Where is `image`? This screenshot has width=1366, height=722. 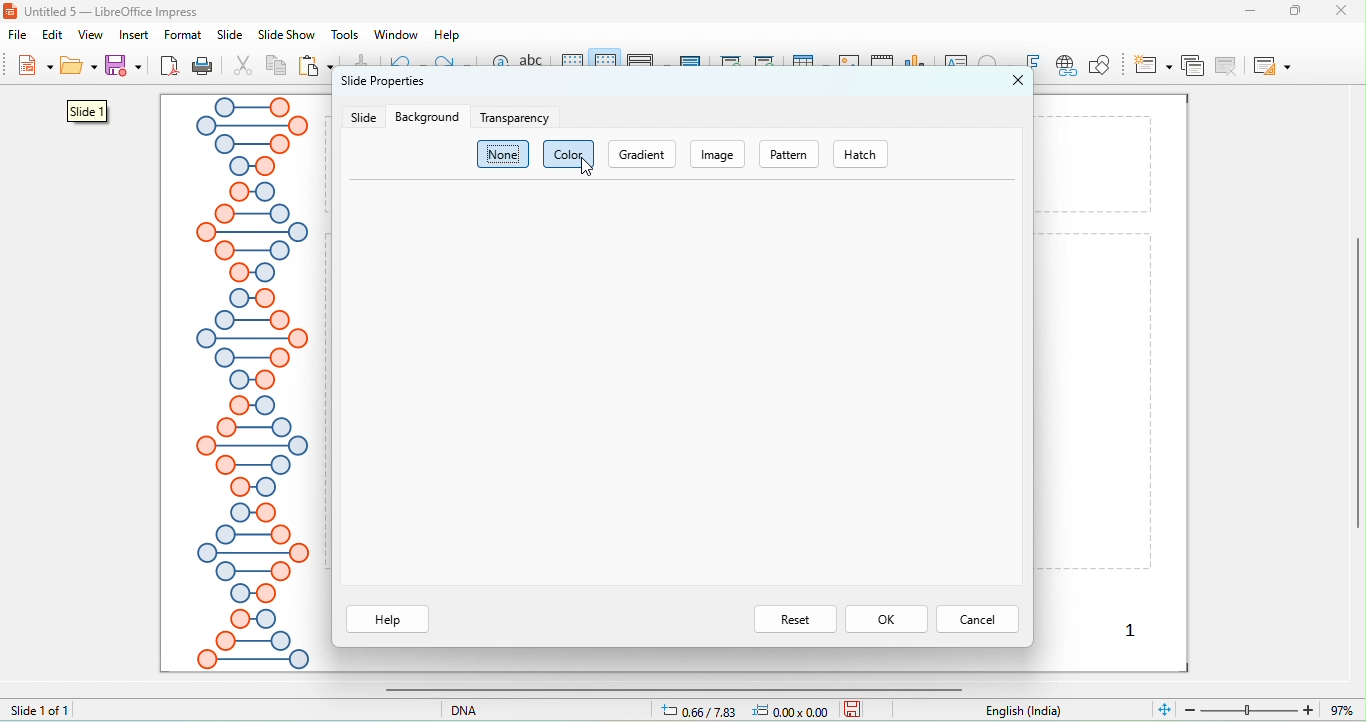 image is located at coordinates (720, 154).